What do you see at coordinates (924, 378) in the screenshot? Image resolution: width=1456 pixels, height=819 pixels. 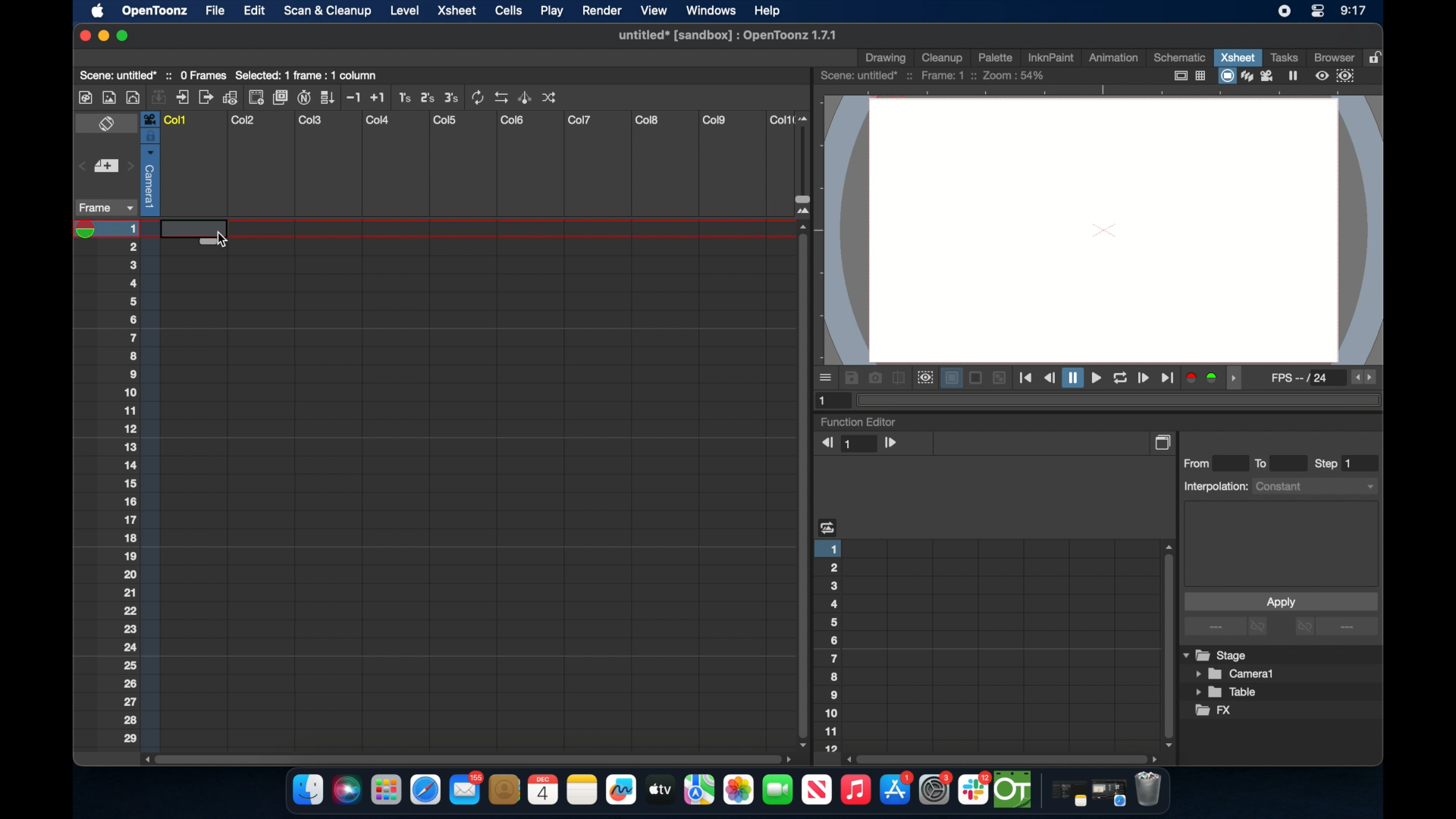 I see `preview` at bounding box center [924, 378].